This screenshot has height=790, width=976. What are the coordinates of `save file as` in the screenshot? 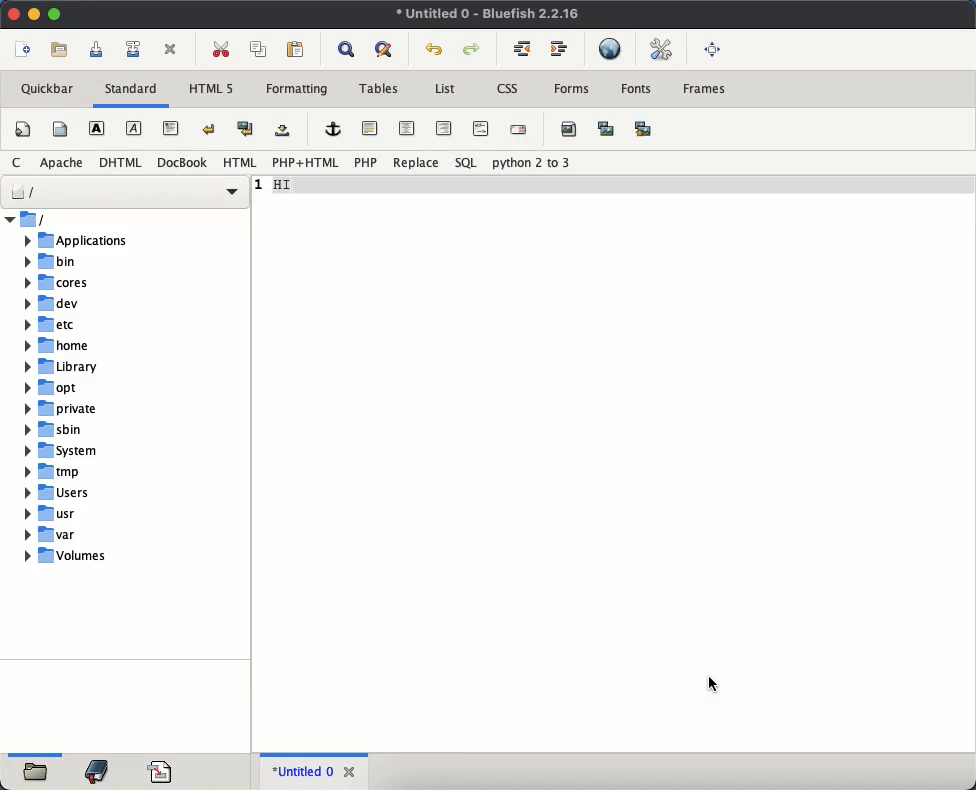 It's located at (134, 50).